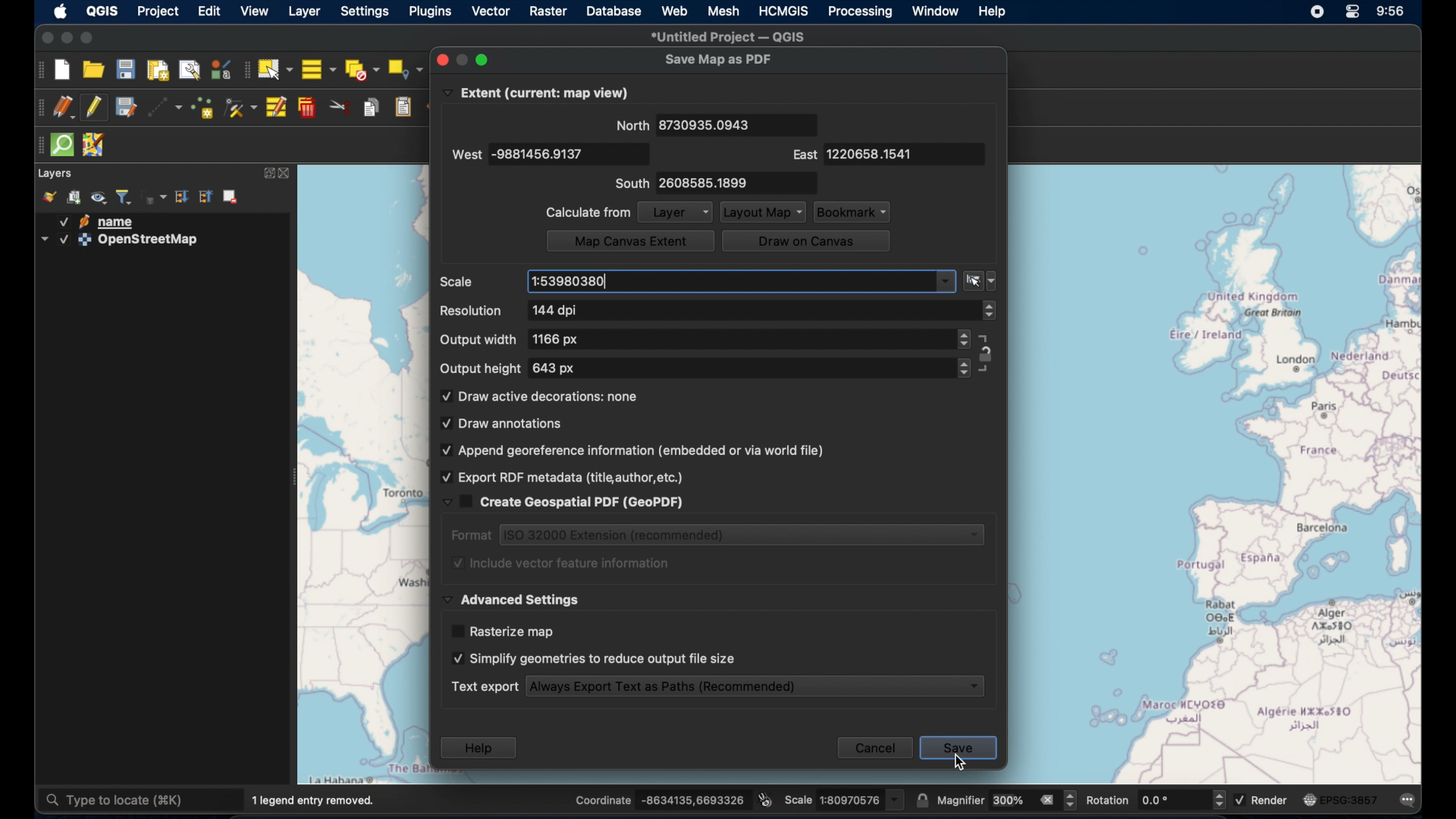 The height and width of the screenshot is (819, 1456). I want to click on window, so click(934, 11).